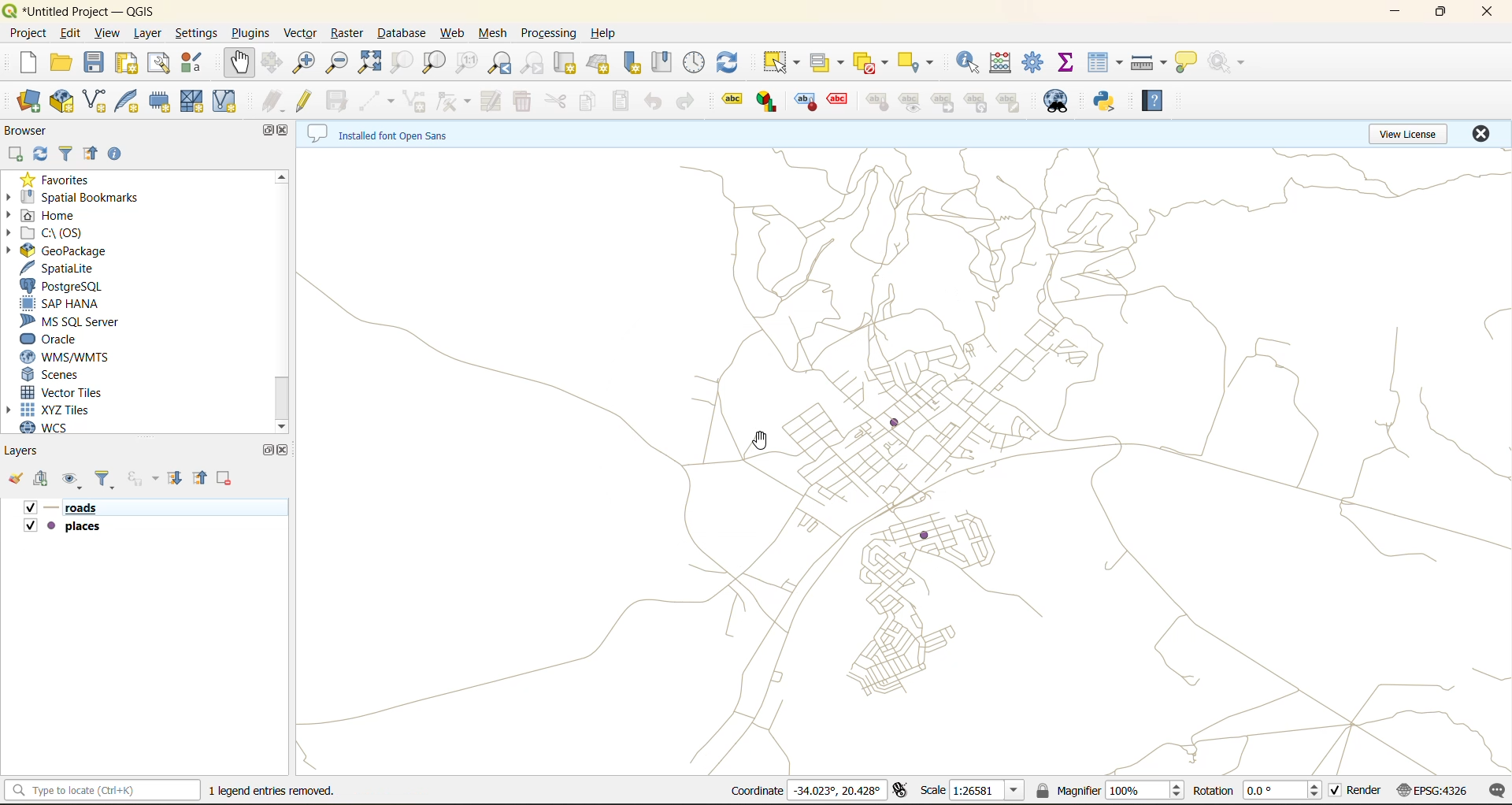  Describe the element at coordinates (1106, 62) in the screenshot. I see `attribute table` at that location.